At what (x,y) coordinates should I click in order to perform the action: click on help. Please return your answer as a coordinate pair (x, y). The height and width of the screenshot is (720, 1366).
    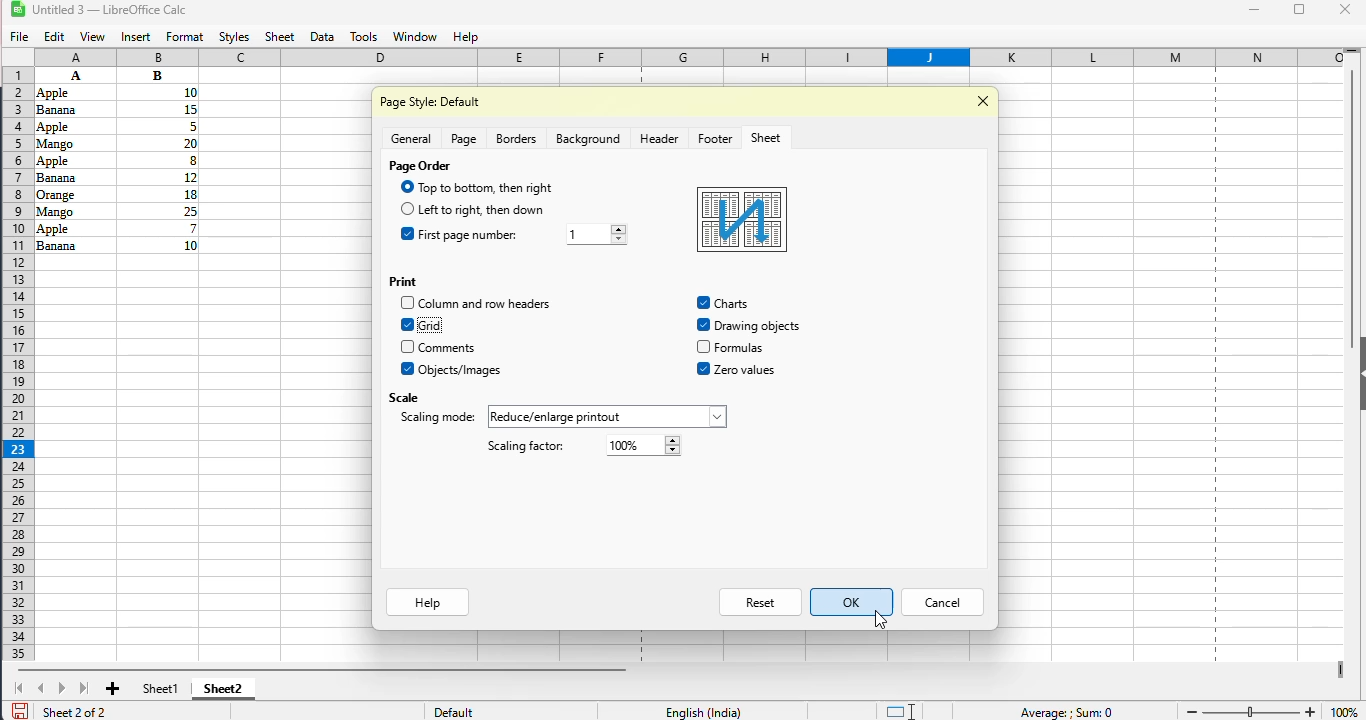
    Looking at the image, I should click on (464, 37).